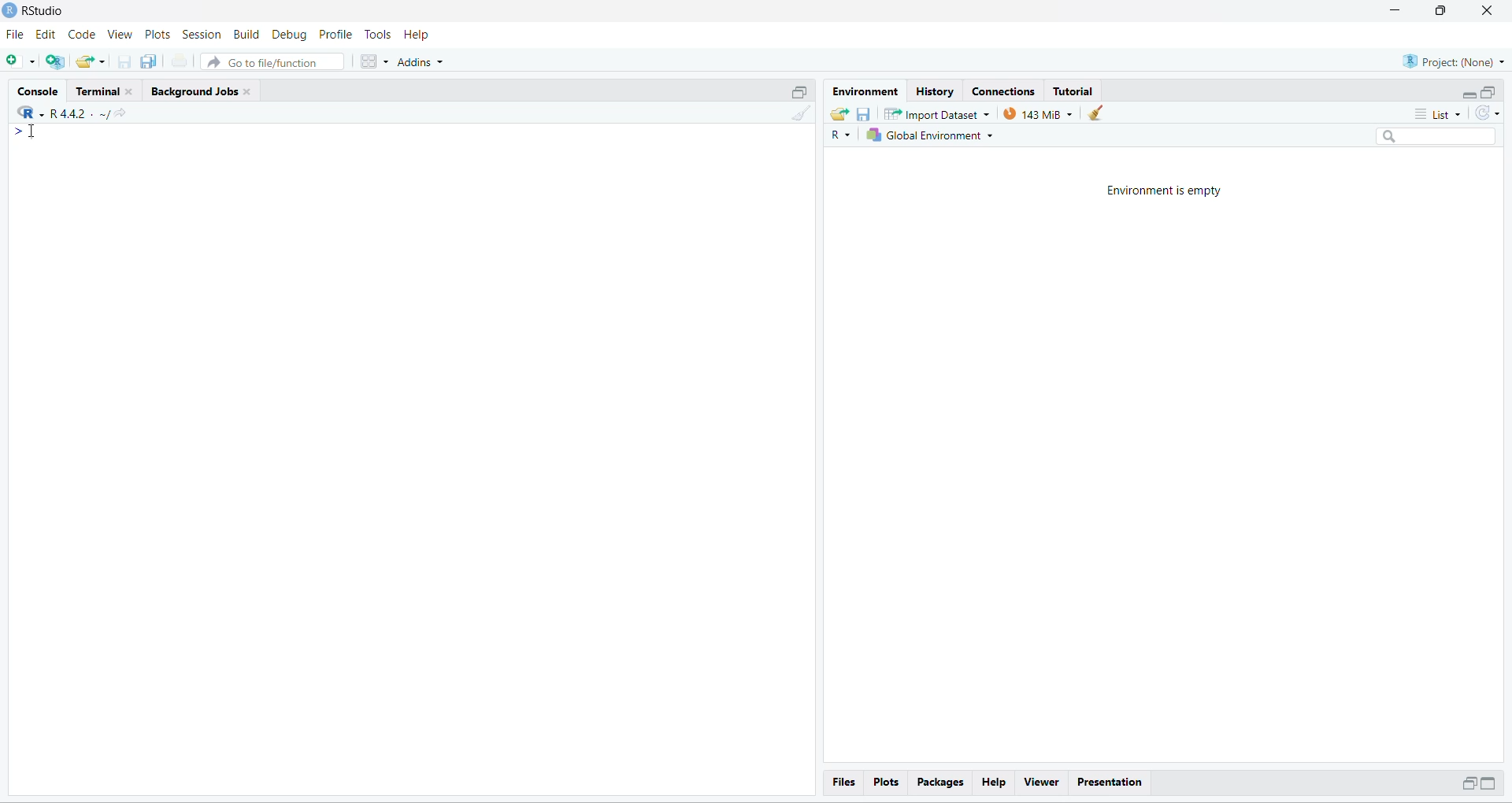 The image size is (1512, 803). I want to click on add file as, so click(22, 61).